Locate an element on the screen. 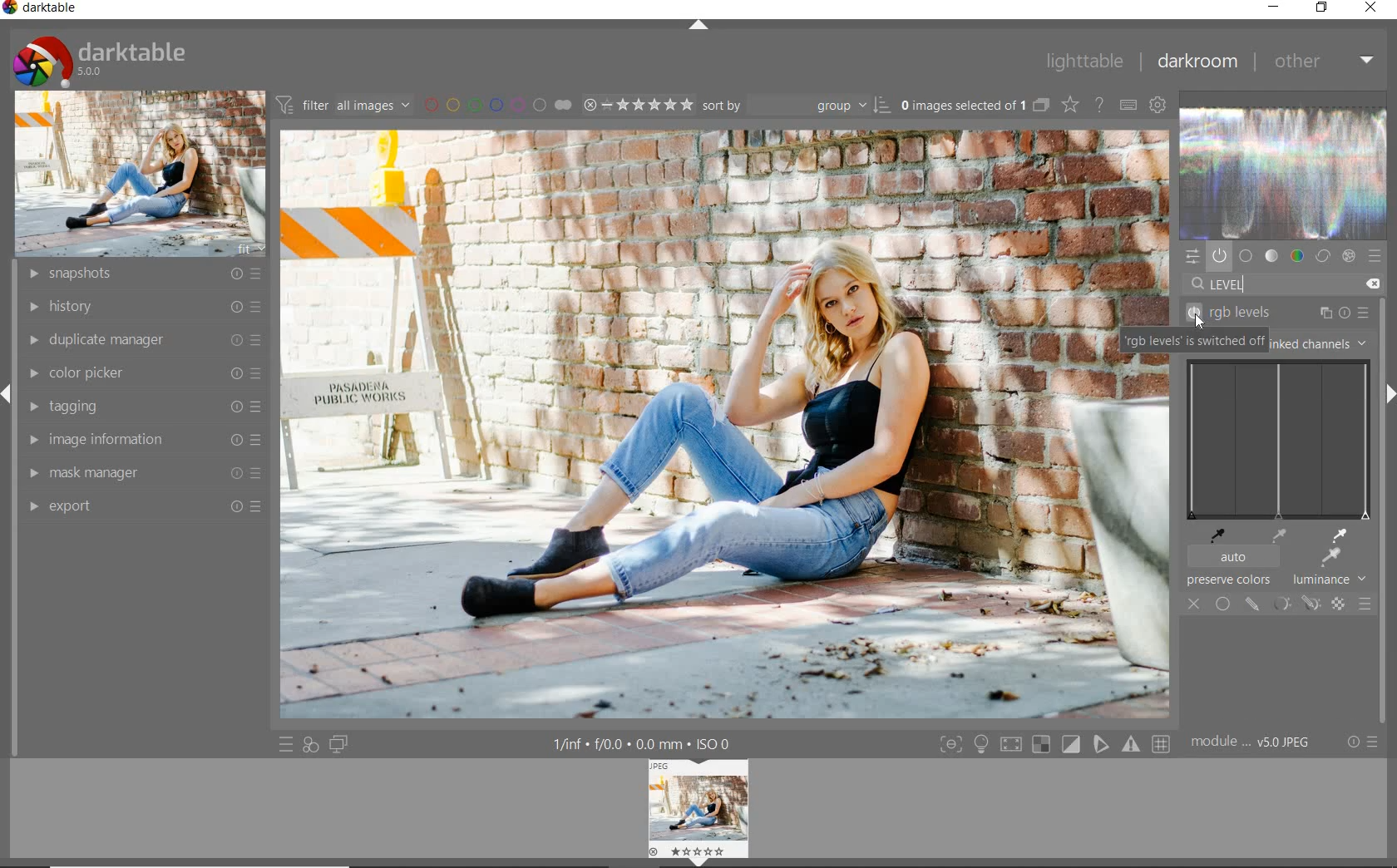 The width and height of the screenshot is (1397, 868). show only active modules is located at coordinates (1220, 254).